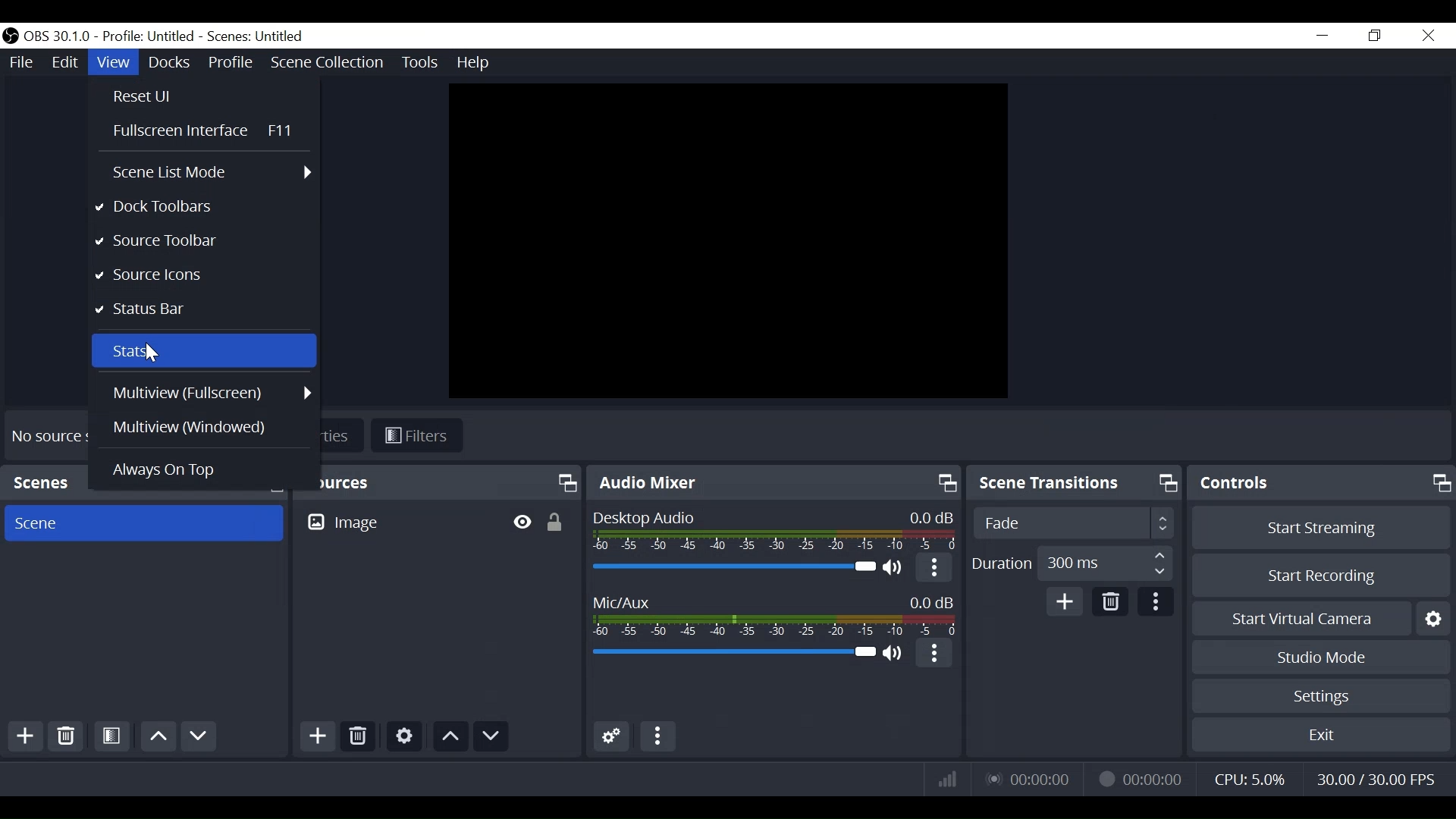 This screenshot has width=1456, height=819. What do you see at coordinates (24, 62) in the screenshot?
I see `File` at bounding box center [24, 62].